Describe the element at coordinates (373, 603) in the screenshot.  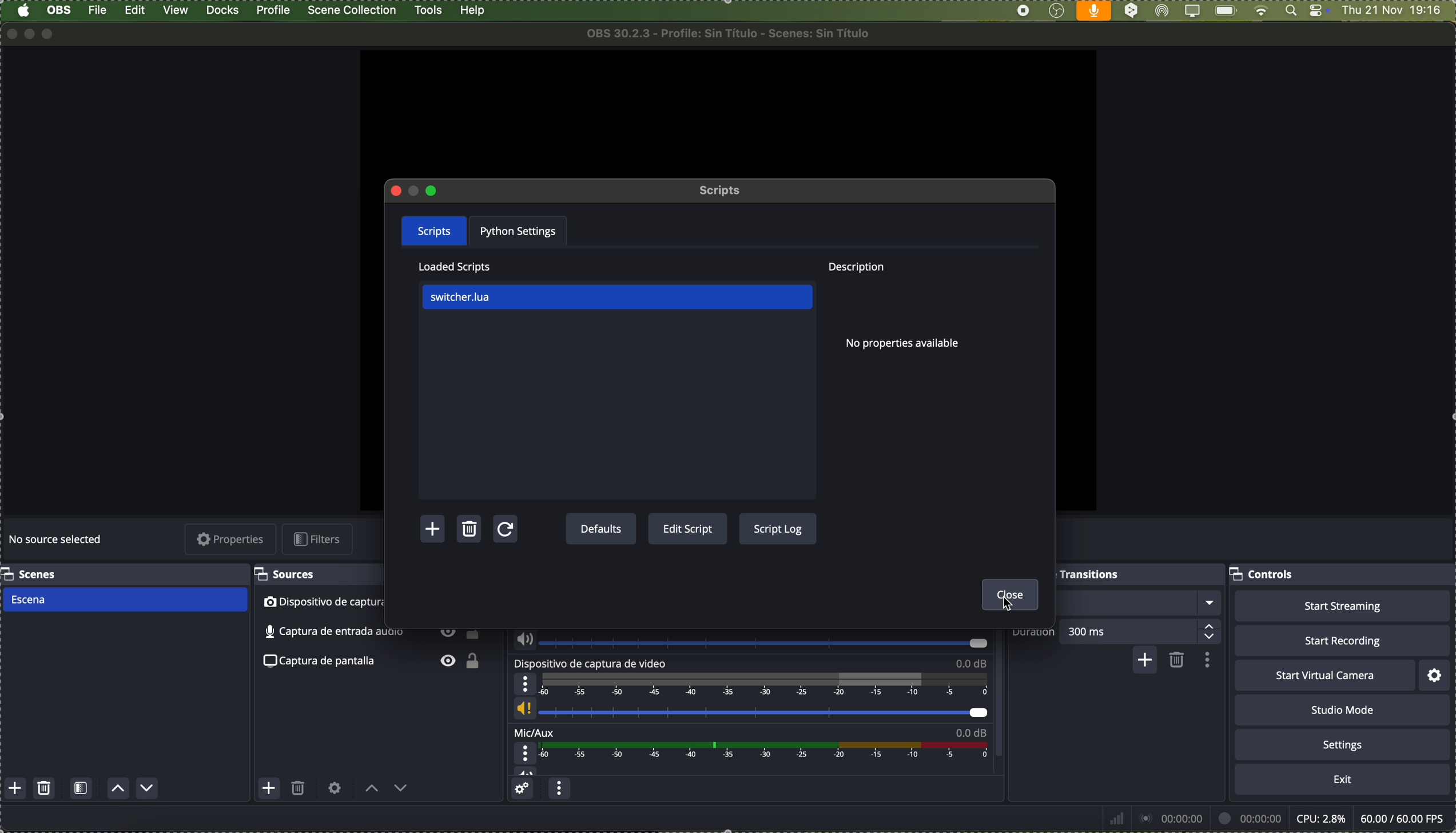
I see `video capture device` at that location.